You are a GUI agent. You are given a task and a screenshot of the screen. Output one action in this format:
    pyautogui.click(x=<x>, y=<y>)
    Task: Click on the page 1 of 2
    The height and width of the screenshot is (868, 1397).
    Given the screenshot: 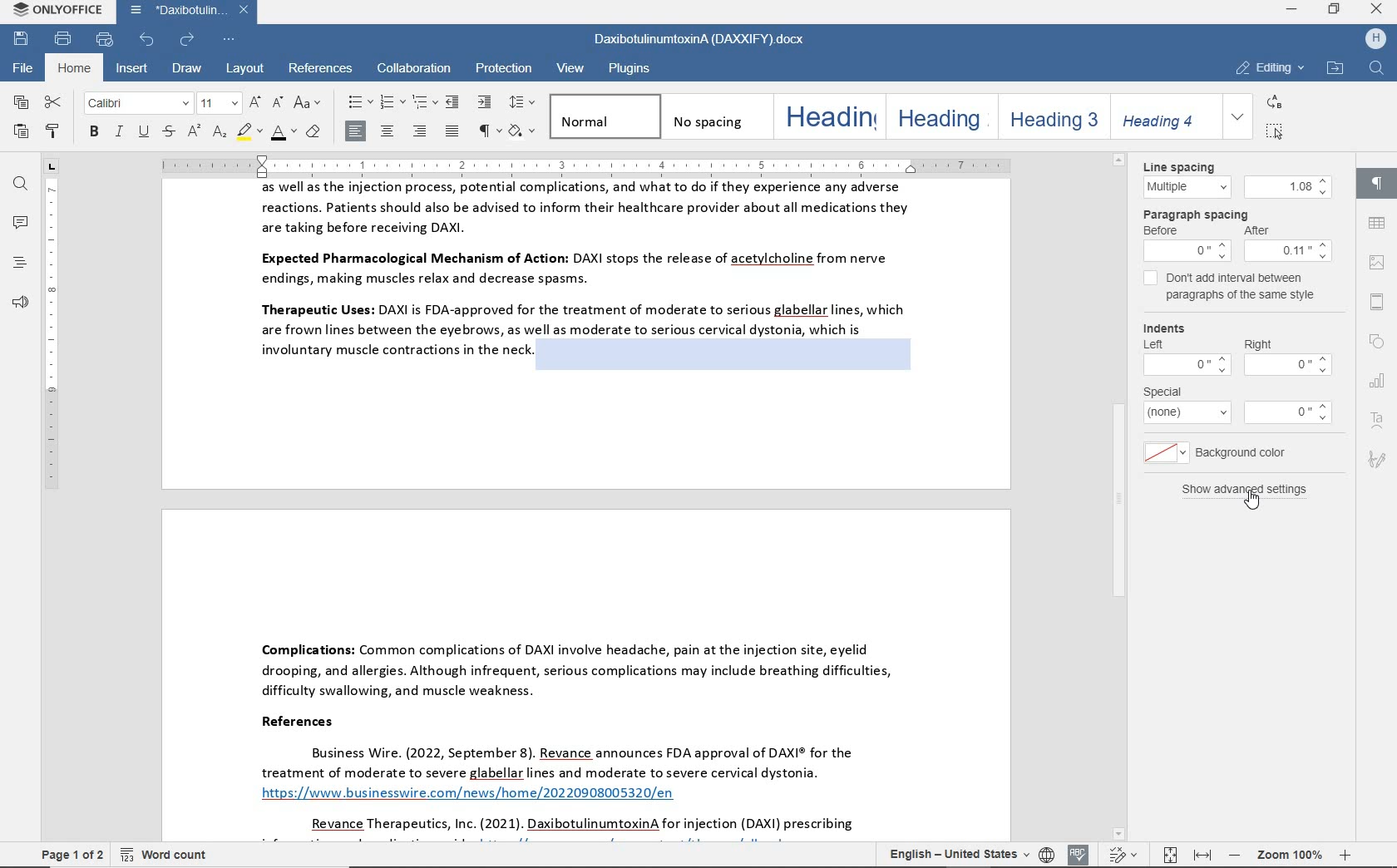 What is the action you would take?
    pyautogui.click(x=72, y=853)
    